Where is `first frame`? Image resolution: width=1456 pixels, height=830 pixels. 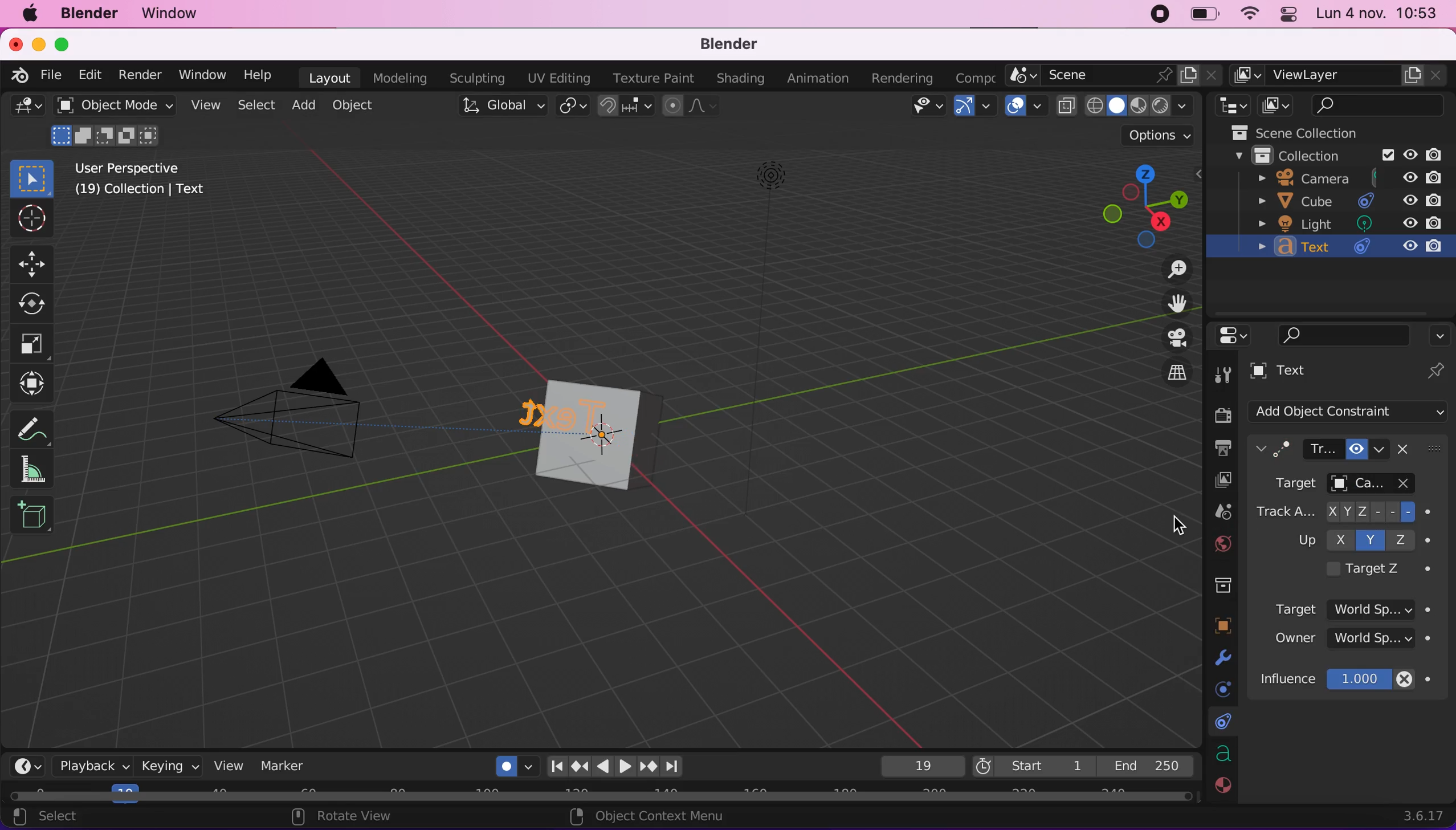 first frame is located at coordinates (1030, 766).